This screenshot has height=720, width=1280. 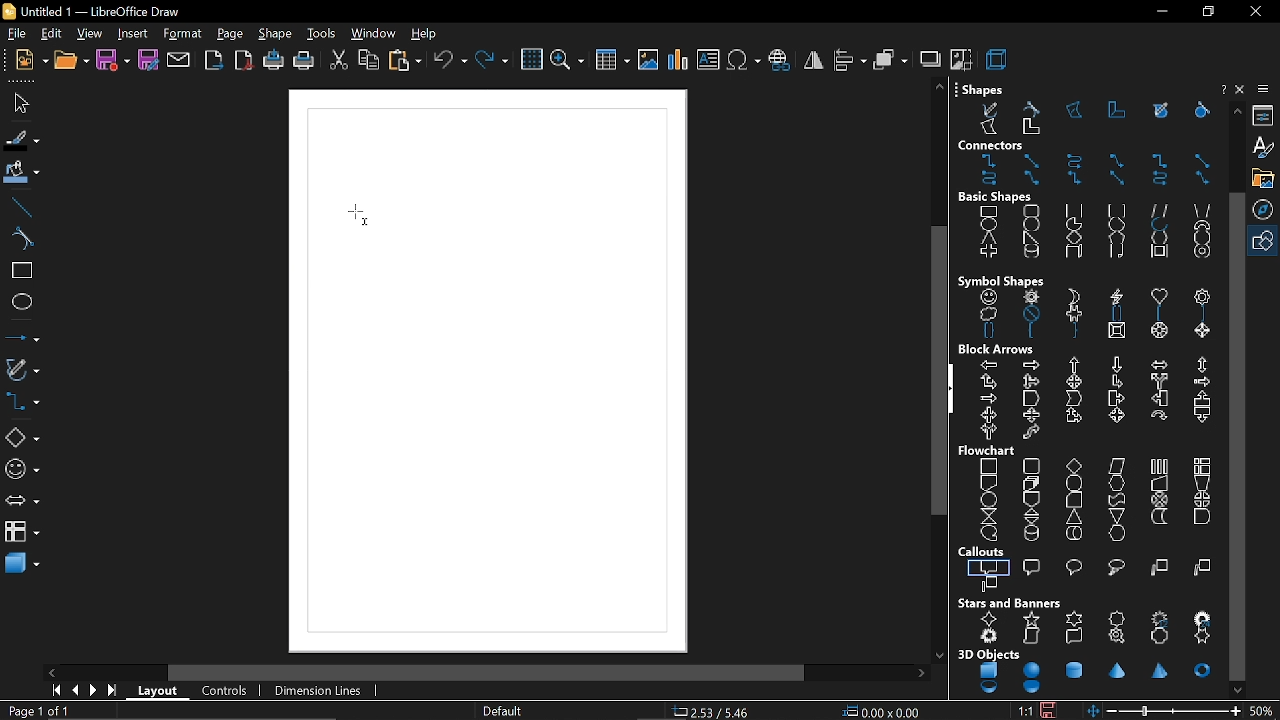 I want to click on up arrow, so click(x=1076, y=365).